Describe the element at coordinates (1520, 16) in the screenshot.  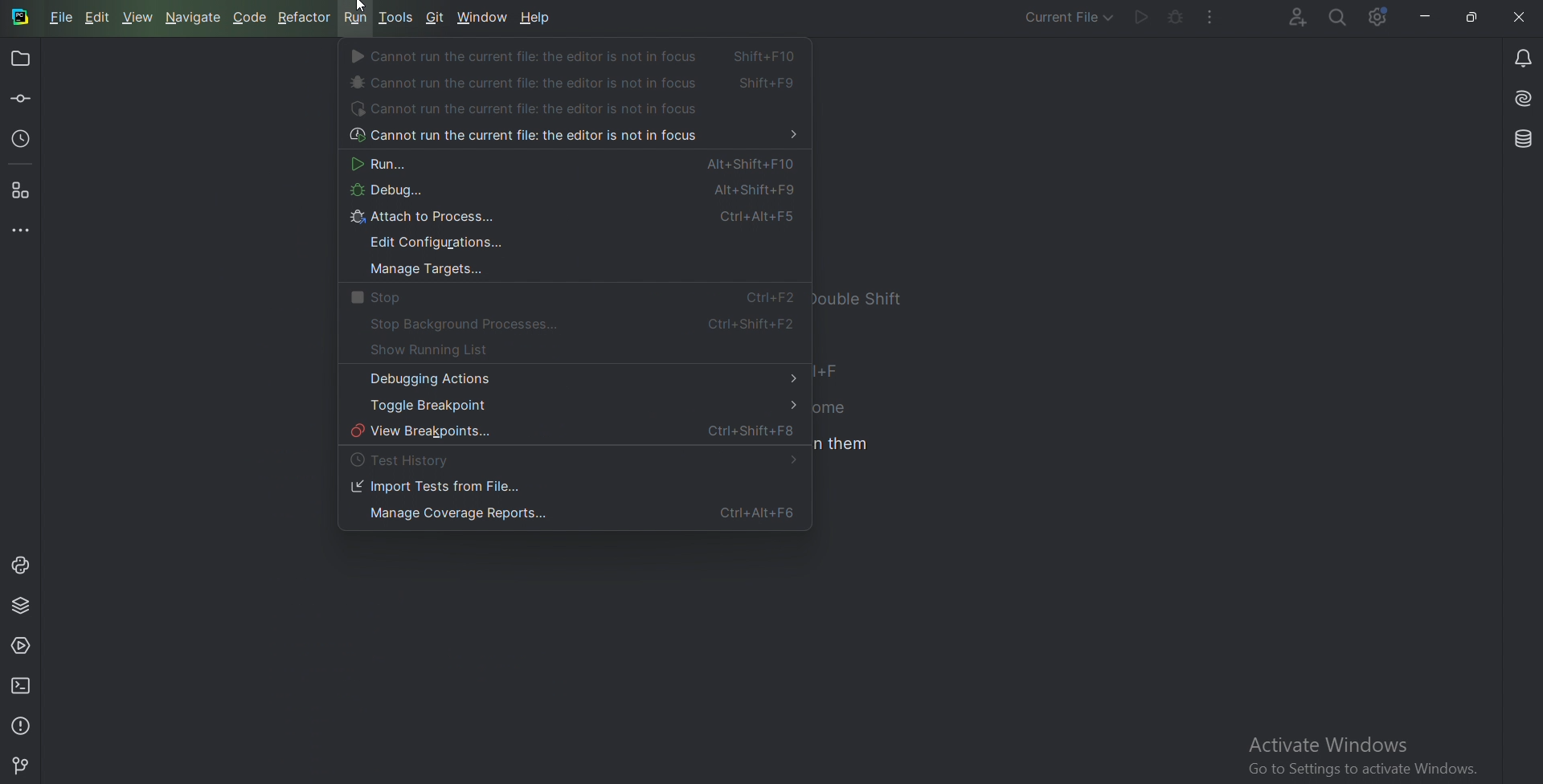
I see `Cross` at that location.